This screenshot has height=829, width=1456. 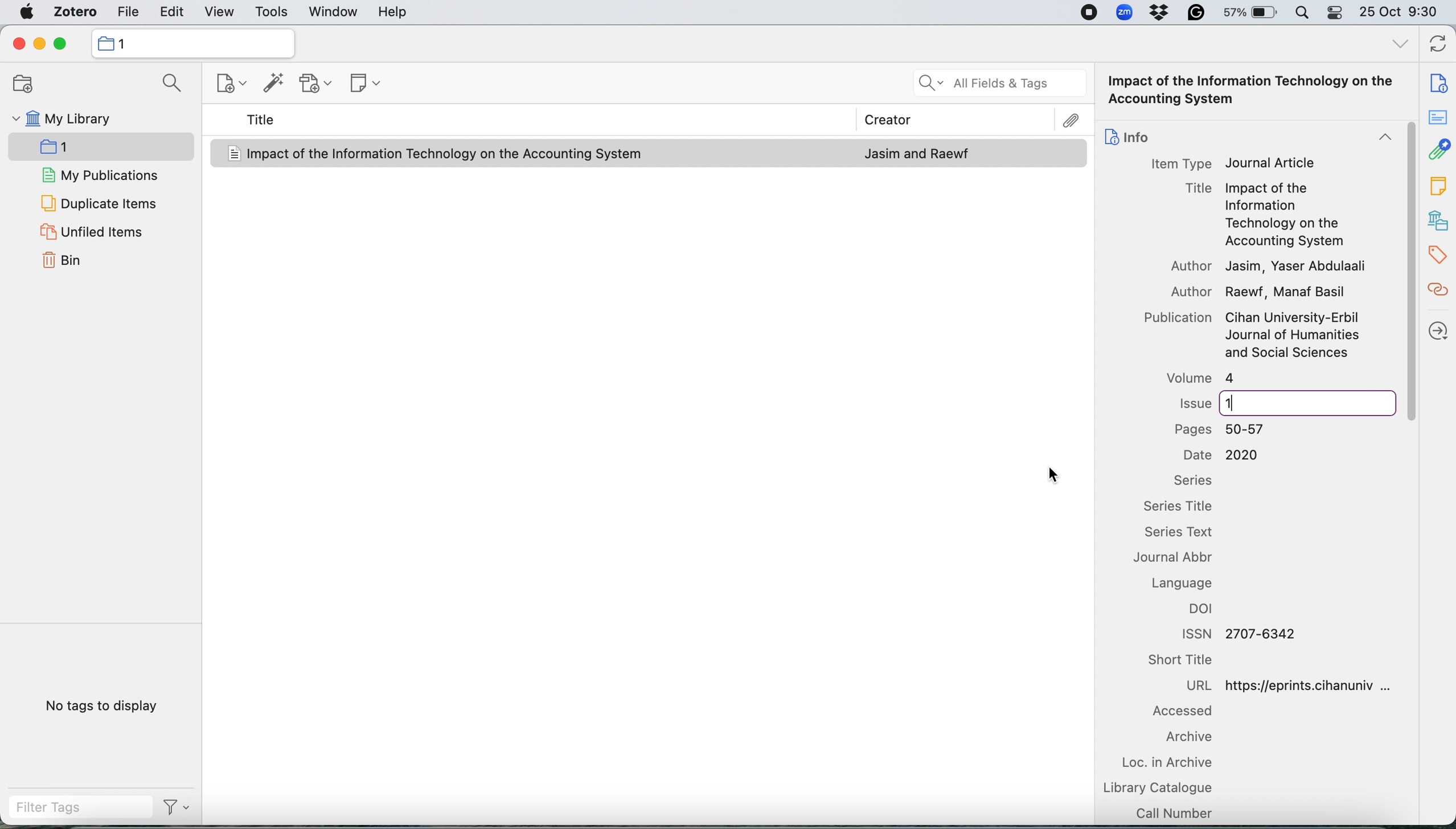 What do you see at coordinates (175, 810) in the screenshot?
I see `actions` at bounding box center [175, 810].